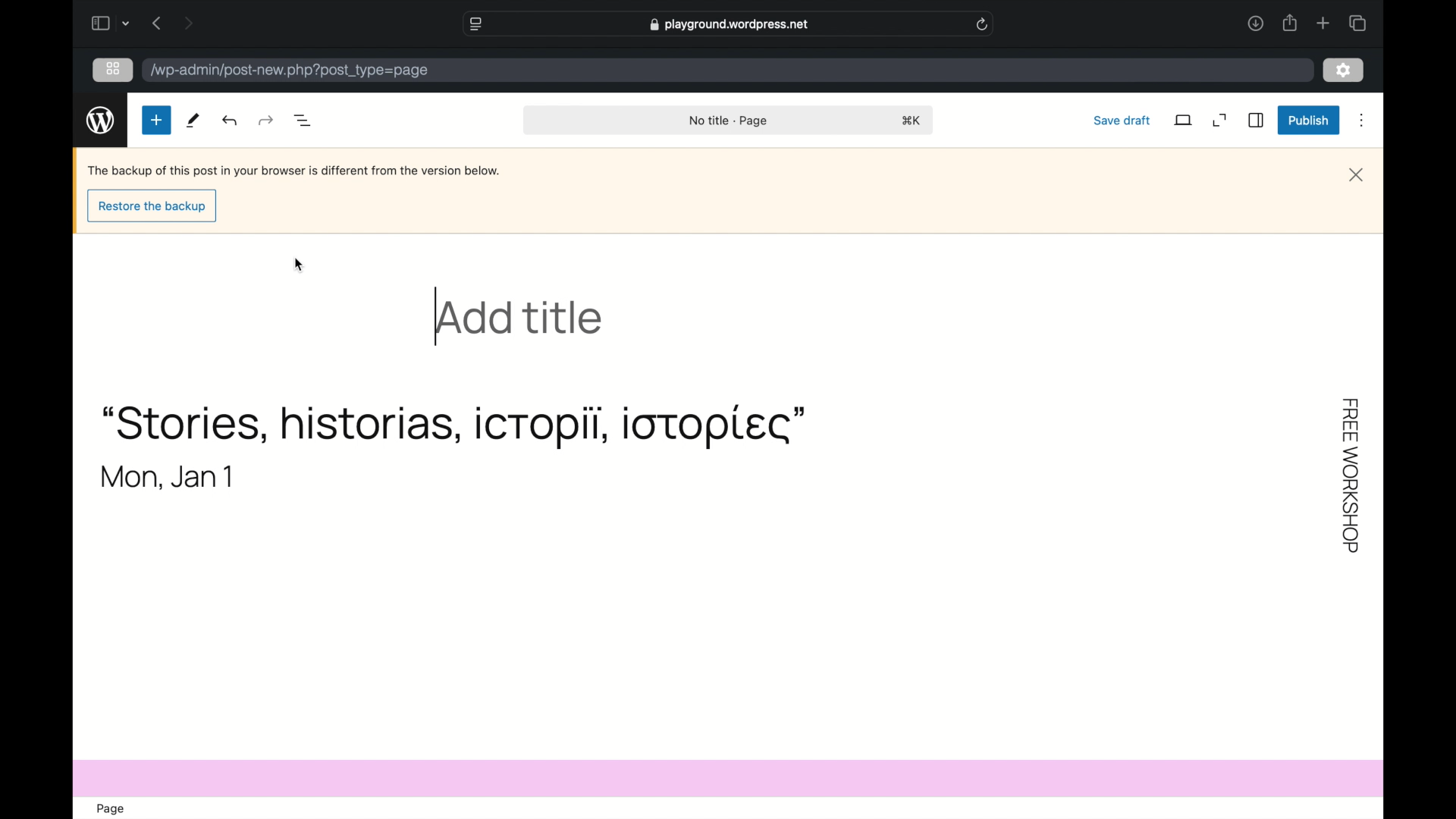  Describe the element at coordinates (1357, 23) in the screenshot. I see `show tab overview` at that location.